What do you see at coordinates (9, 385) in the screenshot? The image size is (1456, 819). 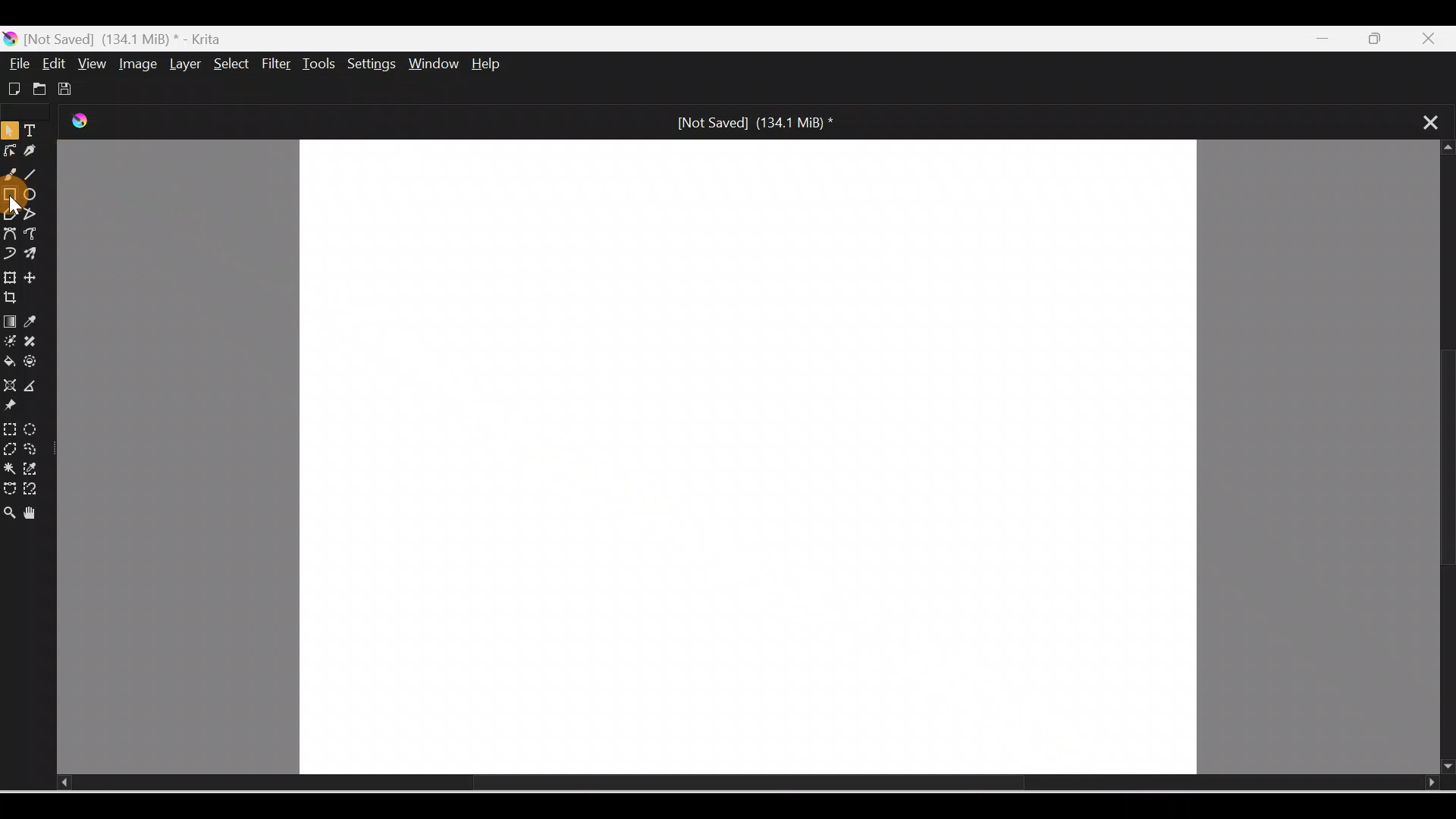 I see `Assistant tool` at bounding box center [9, 385].